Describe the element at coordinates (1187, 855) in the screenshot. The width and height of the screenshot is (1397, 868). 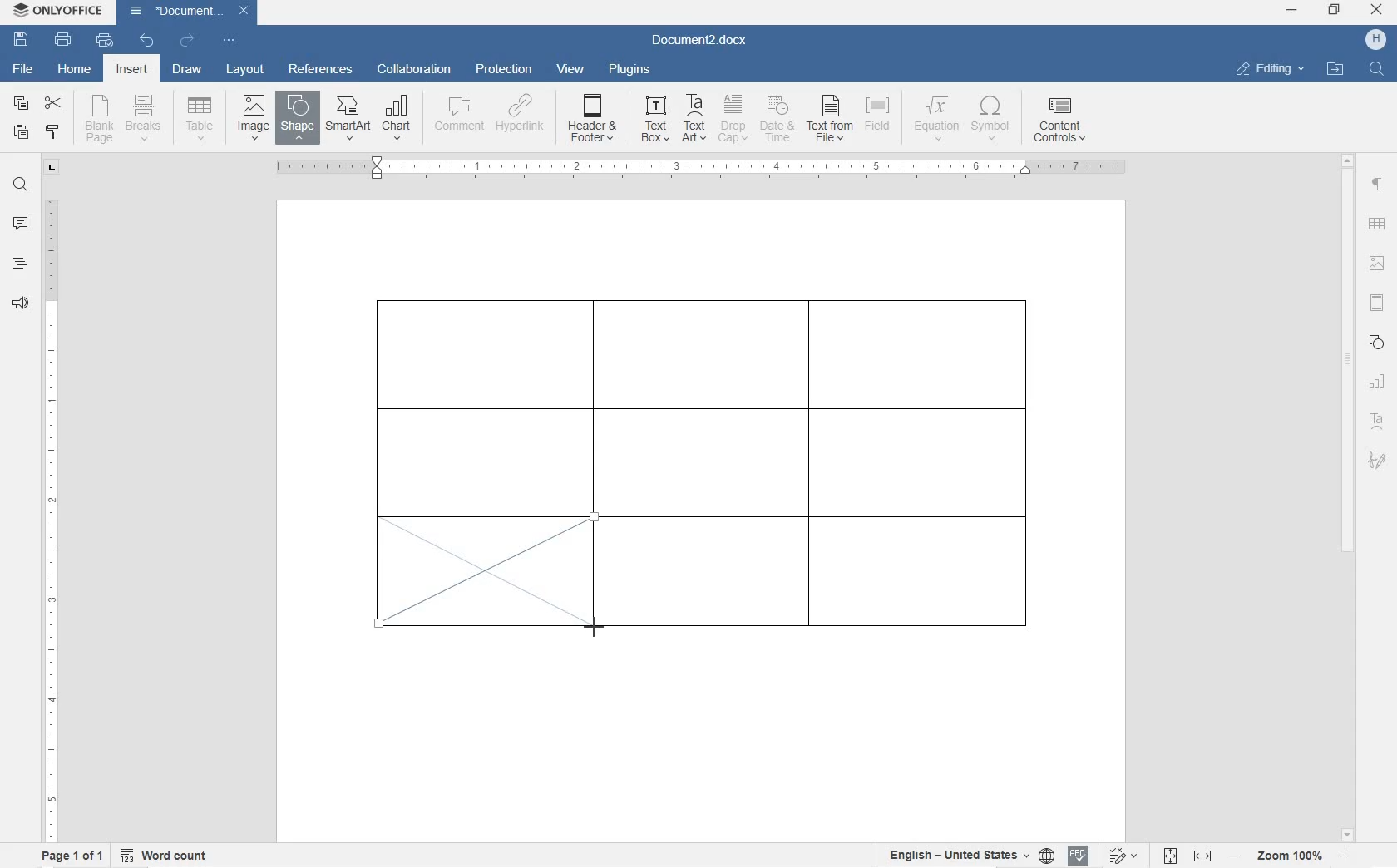
I see `fit to page or width` at that location.